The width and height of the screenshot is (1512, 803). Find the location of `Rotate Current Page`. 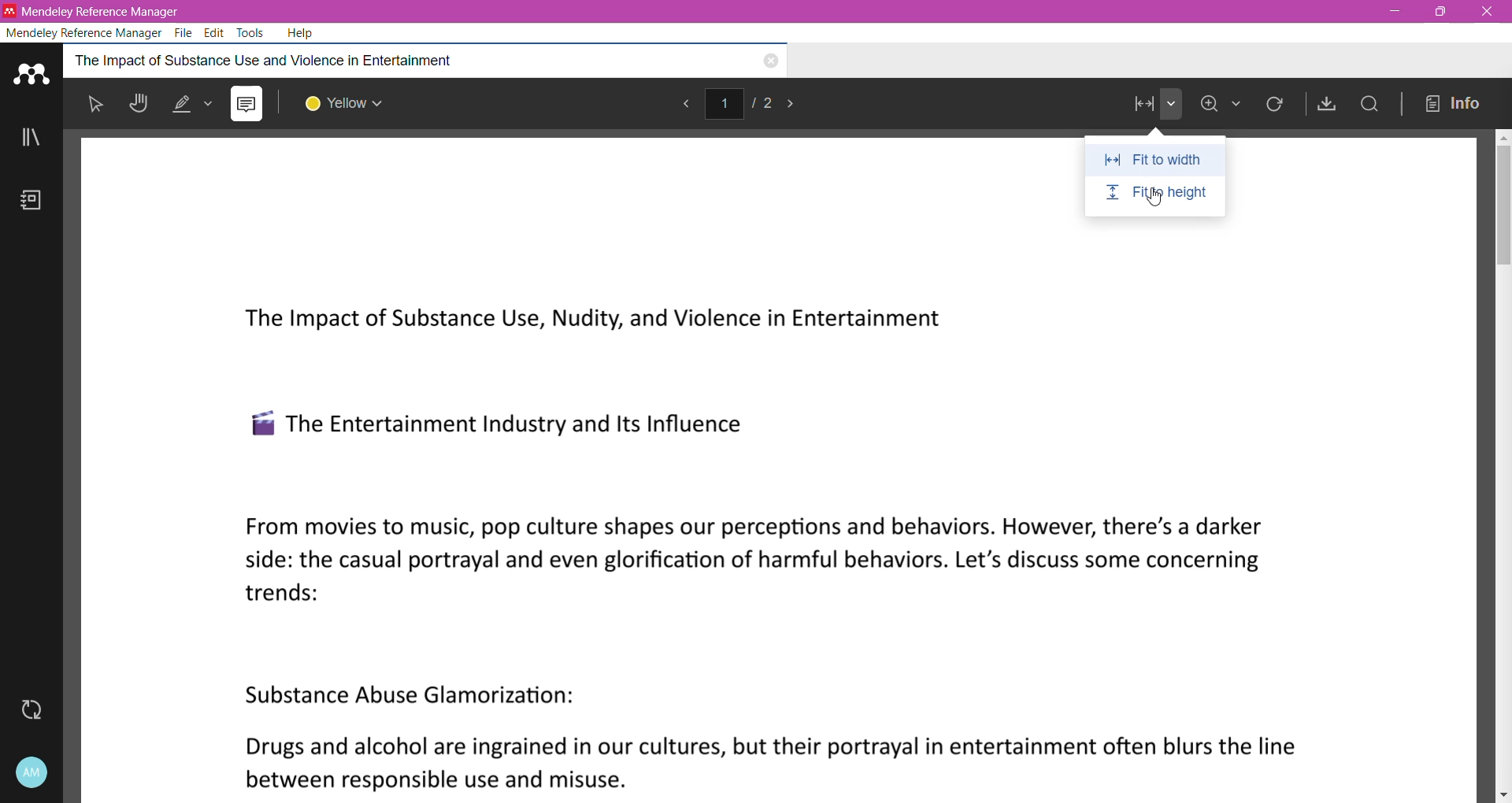

Rotate Current Page is located at coordinates (1277, 108).